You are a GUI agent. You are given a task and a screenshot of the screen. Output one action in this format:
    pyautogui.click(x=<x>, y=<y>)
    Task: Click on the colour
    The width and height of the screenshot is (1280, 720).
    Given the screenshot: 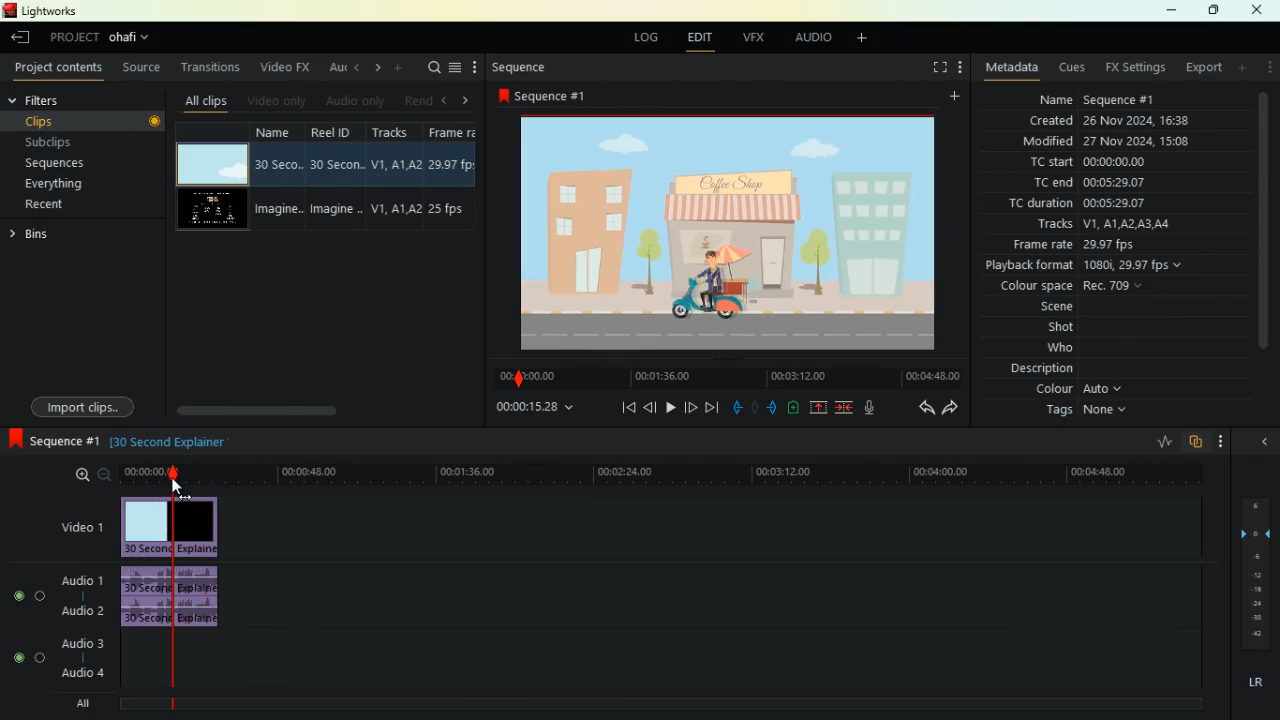 What is the action you would take?
    pyautogui.click(x=1075, y=388)
    